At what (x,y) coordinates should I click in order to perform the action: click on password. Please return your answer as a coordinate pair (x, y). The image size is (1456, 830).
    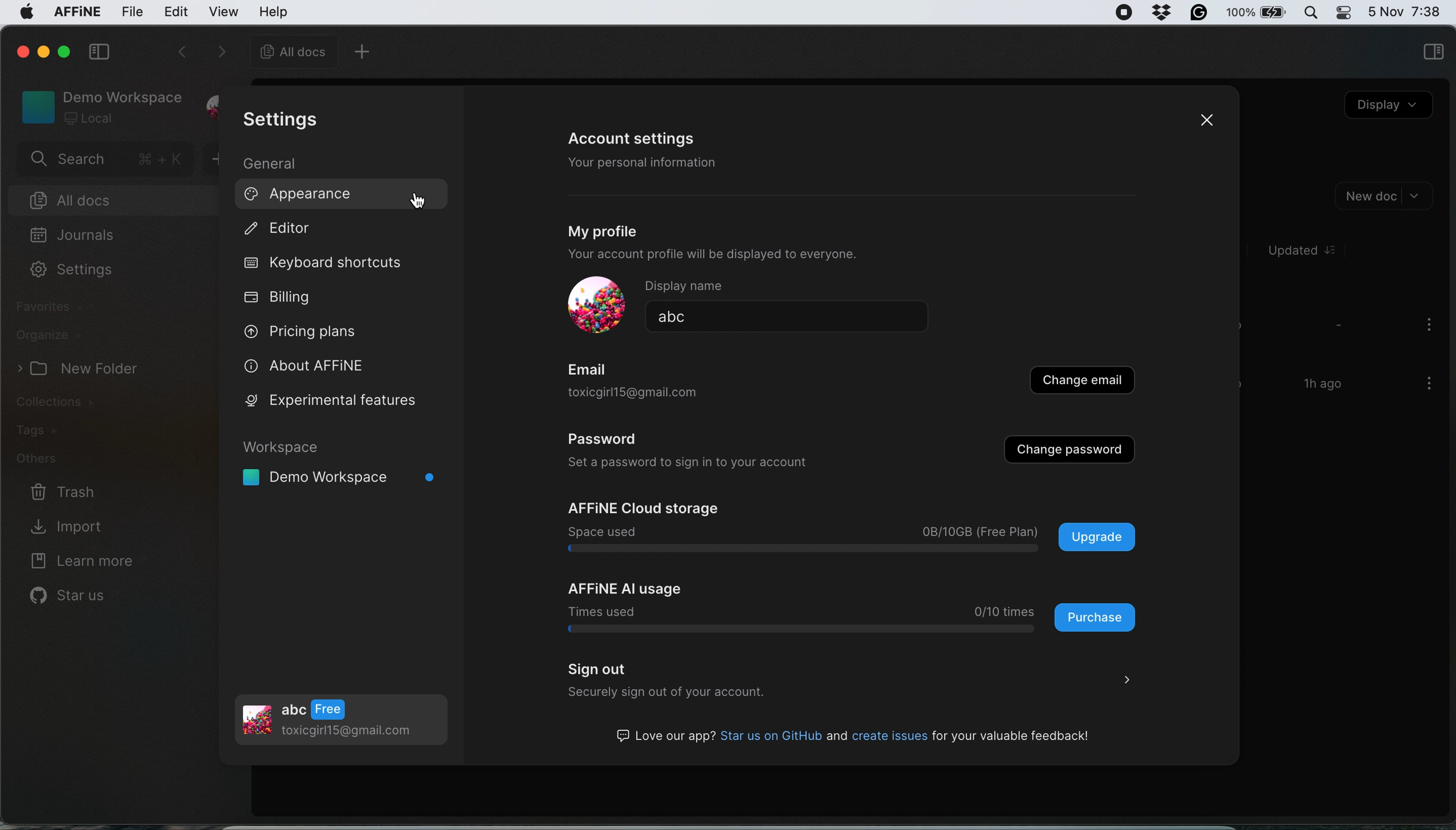
    Looking at the image, I should click on (607, 436).